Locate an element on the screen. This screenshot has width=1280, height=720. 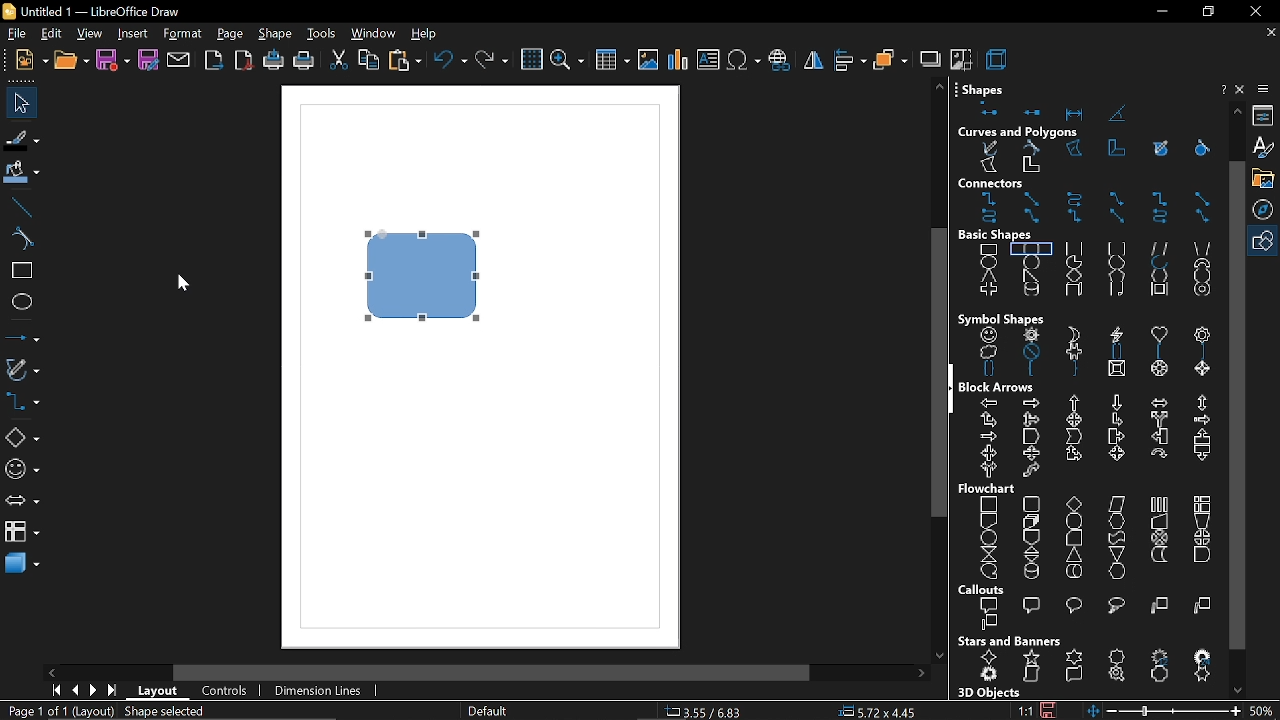
export is located at coordinates (215, 62).